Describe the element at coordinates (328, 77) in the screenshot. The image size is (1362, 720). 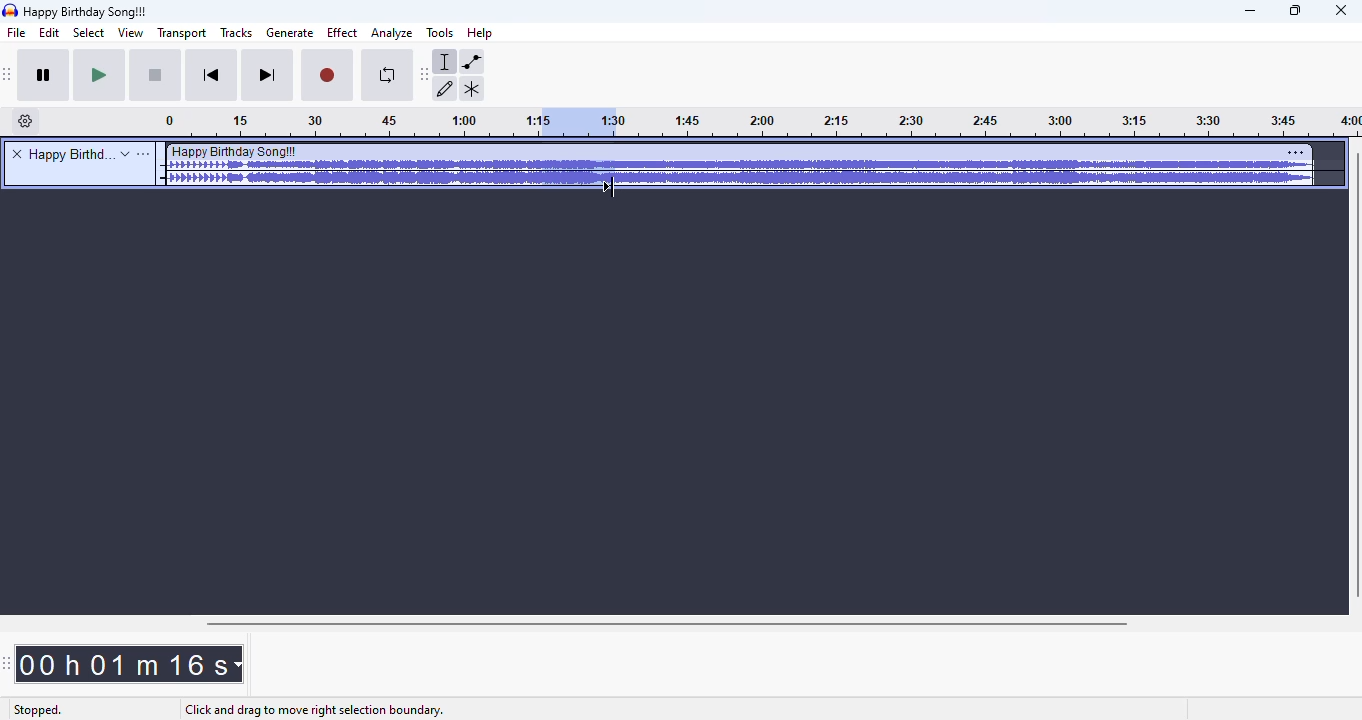
I see `record` at that location.